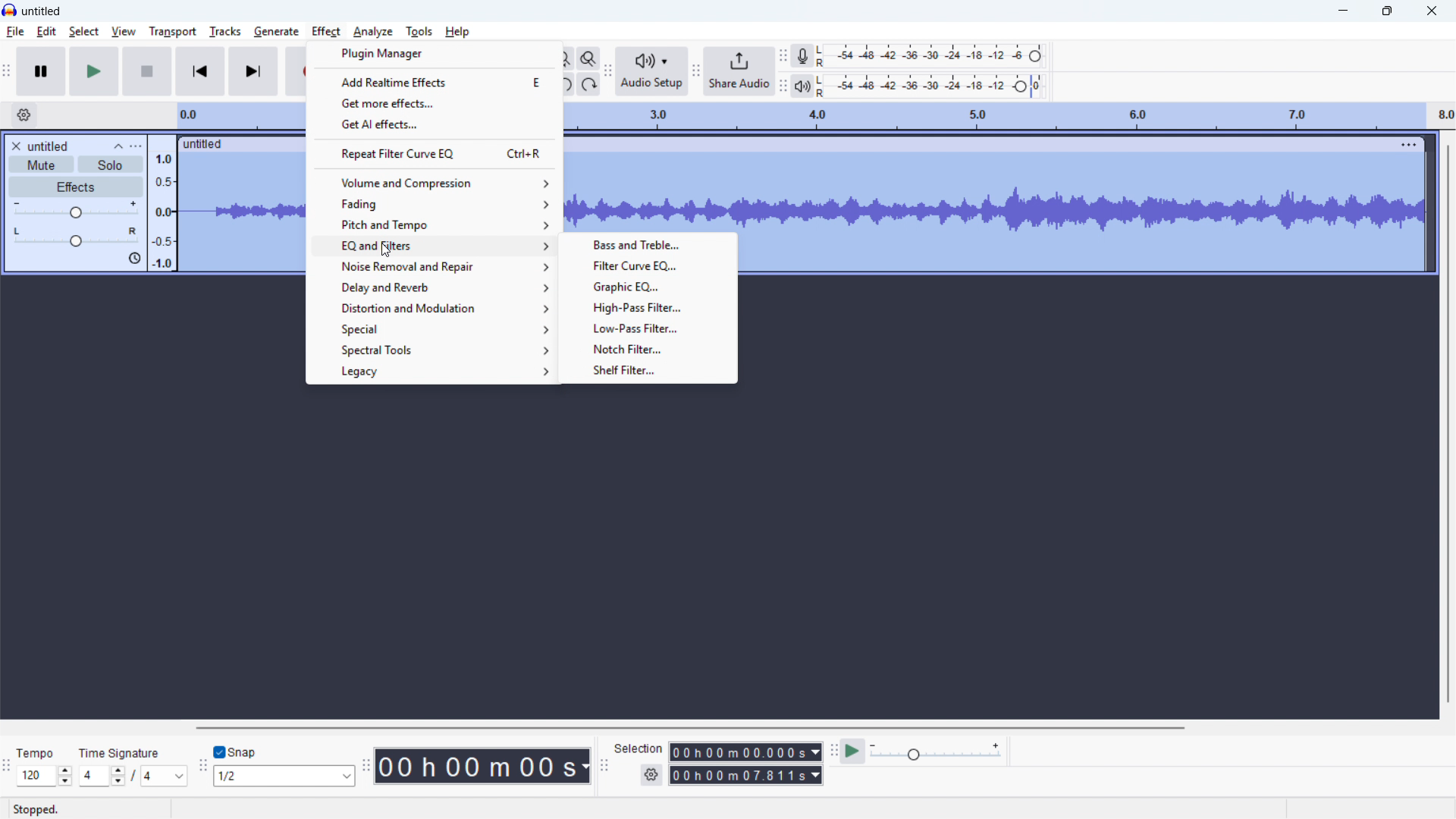 This screenshot has width=1456, height=819. What do you see at coordinates (94, 72) in the screenshot?
I see `play` at bounding box center [94, 72].